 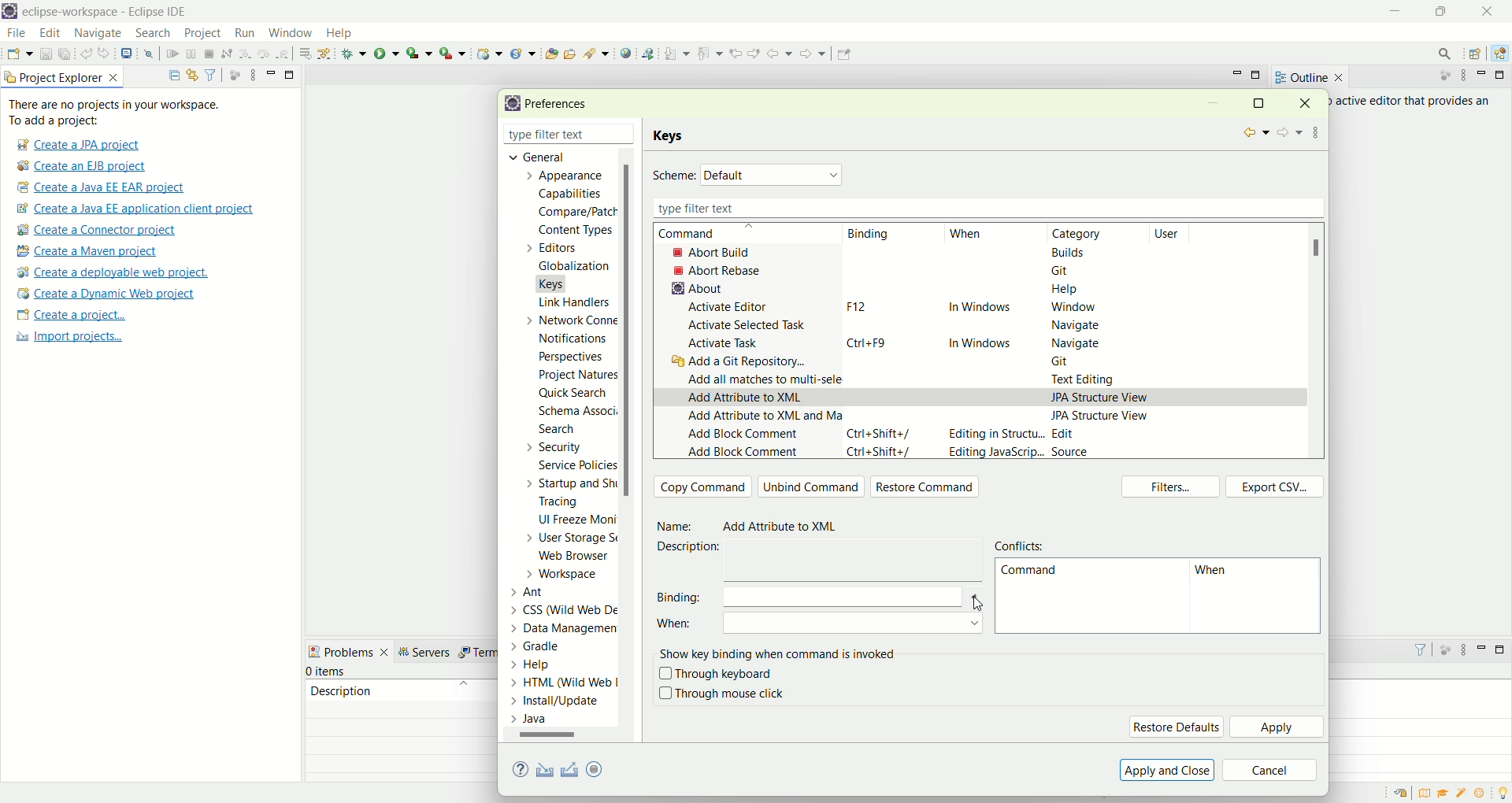 What do you see at coordinates (1270, 772) in the screenshot?
I see `cancel` at bounding box center [1270, 772].